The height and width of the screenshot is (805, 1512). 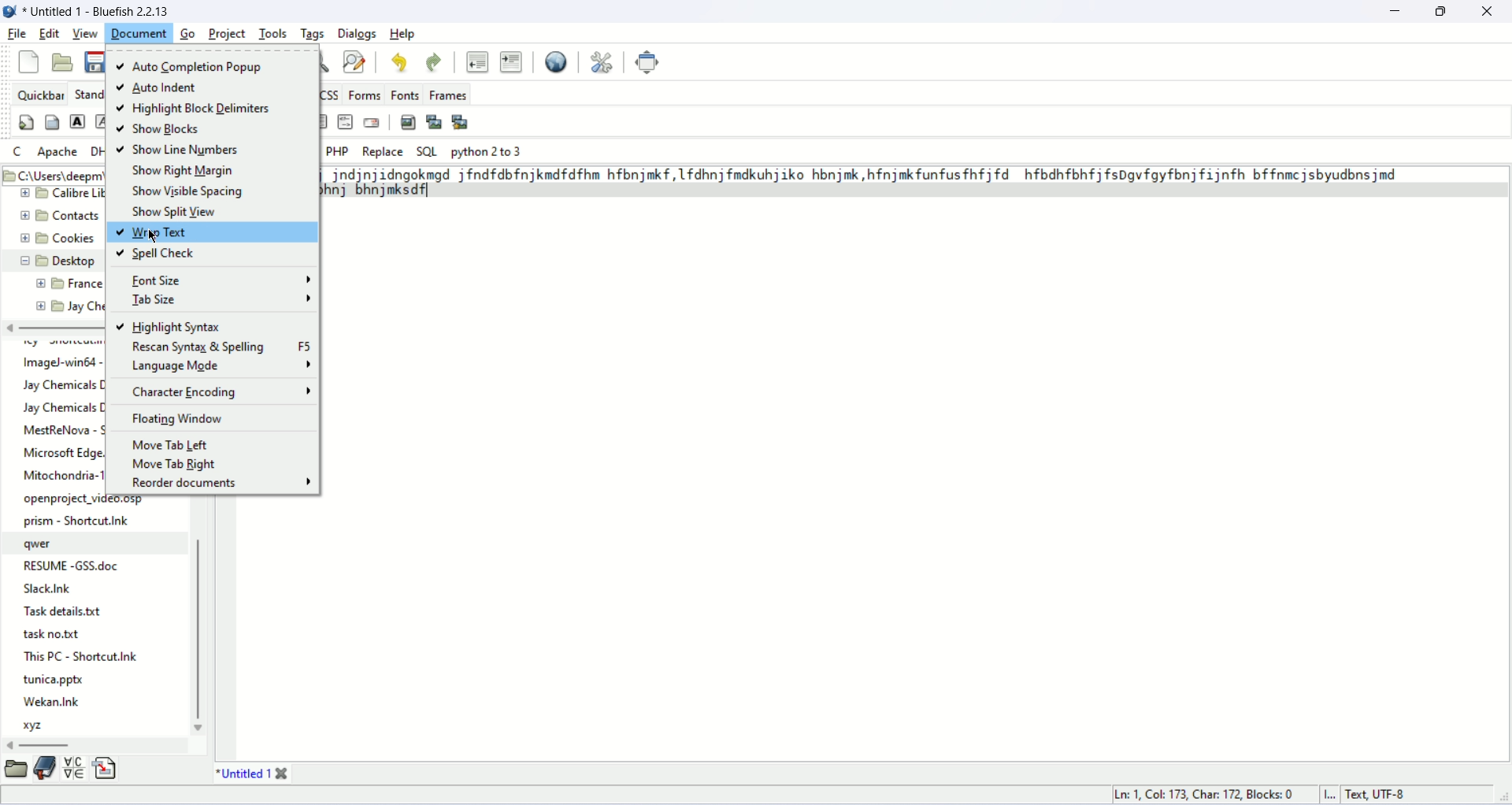 What do you see at coordinates (190, 171) in the screenshot?
I see `show right margin` at bounding box center [190, 171].